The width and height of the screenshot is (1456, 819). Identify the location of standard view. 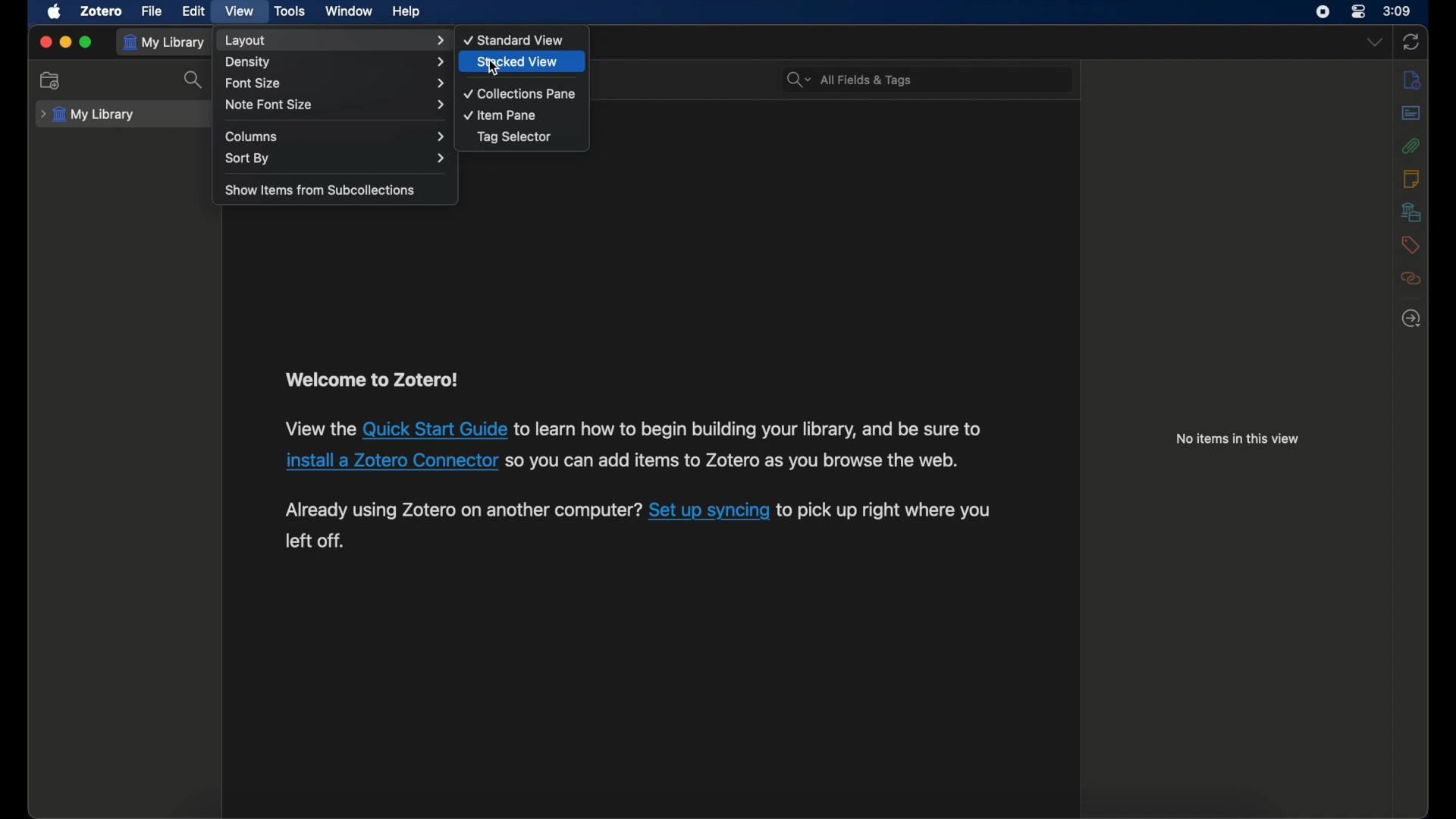
(515, 39).